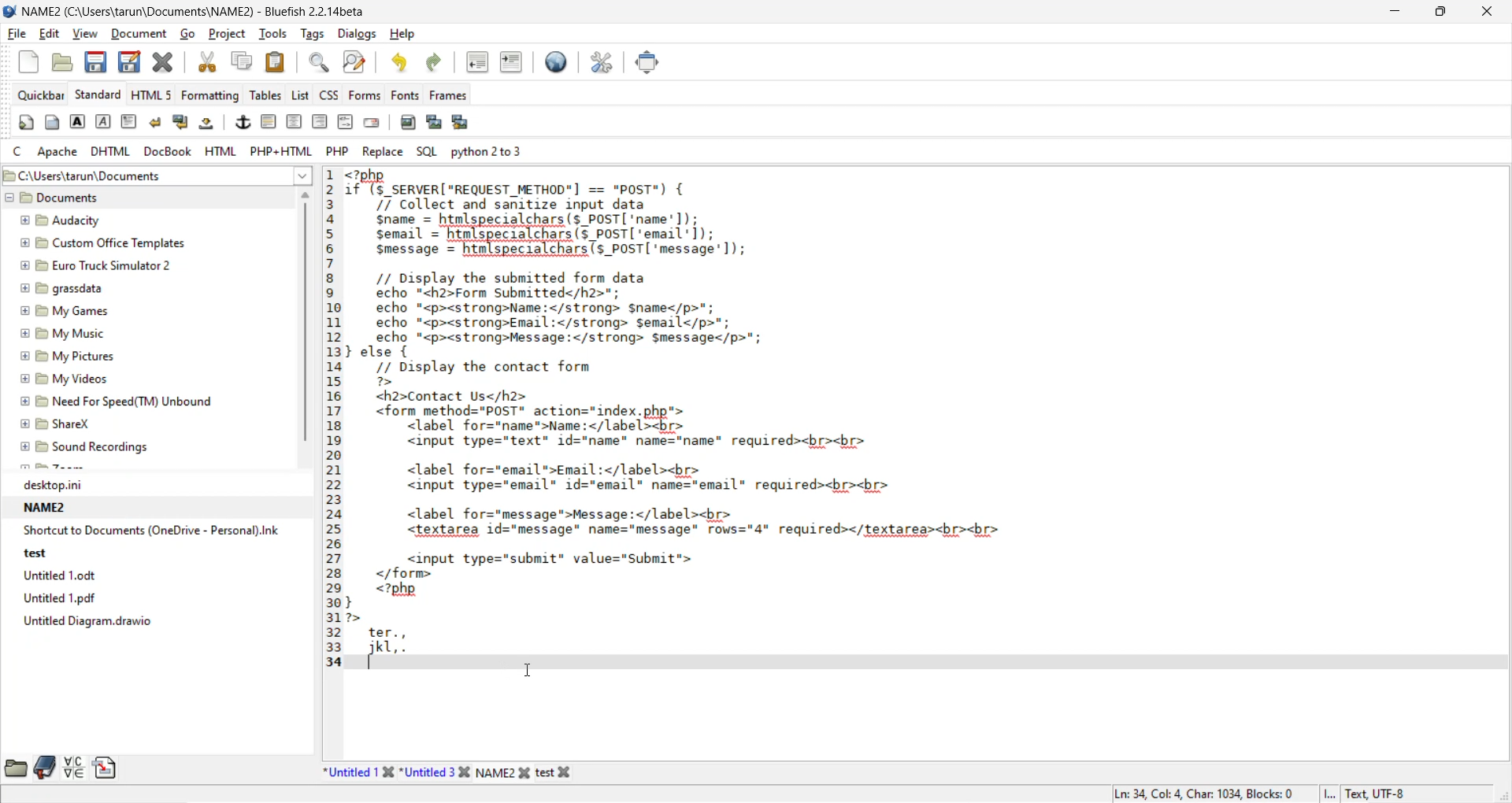 The height and width of the screenshot is (803, 1512). Describe the element at coordinates (395, 64) in the screenshot. I see `undo` at that location.